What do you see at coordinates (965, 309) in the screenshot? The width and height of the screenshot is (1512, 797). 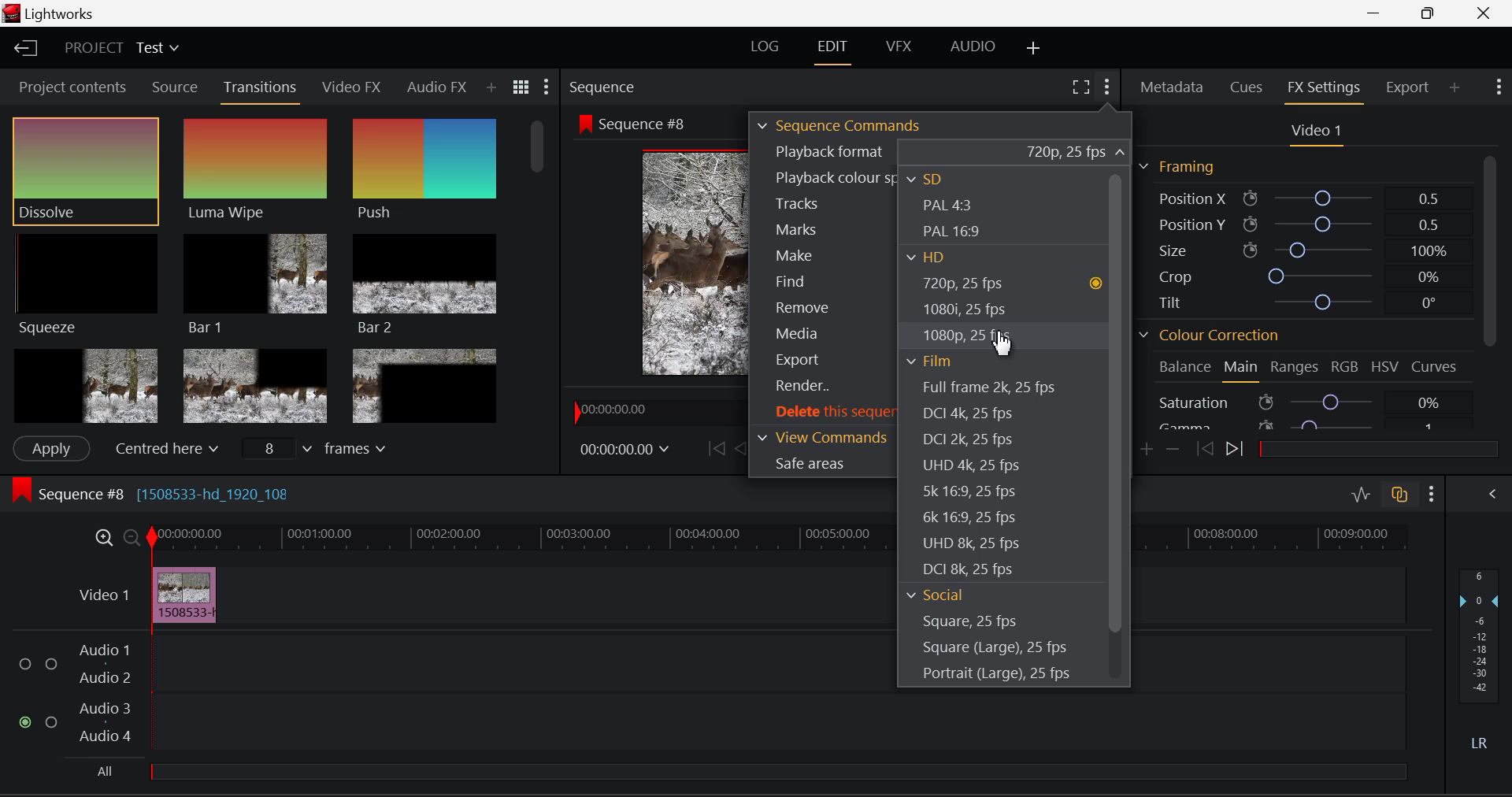 I see `1080i, 25 fps` at bounding box center [965, 309].